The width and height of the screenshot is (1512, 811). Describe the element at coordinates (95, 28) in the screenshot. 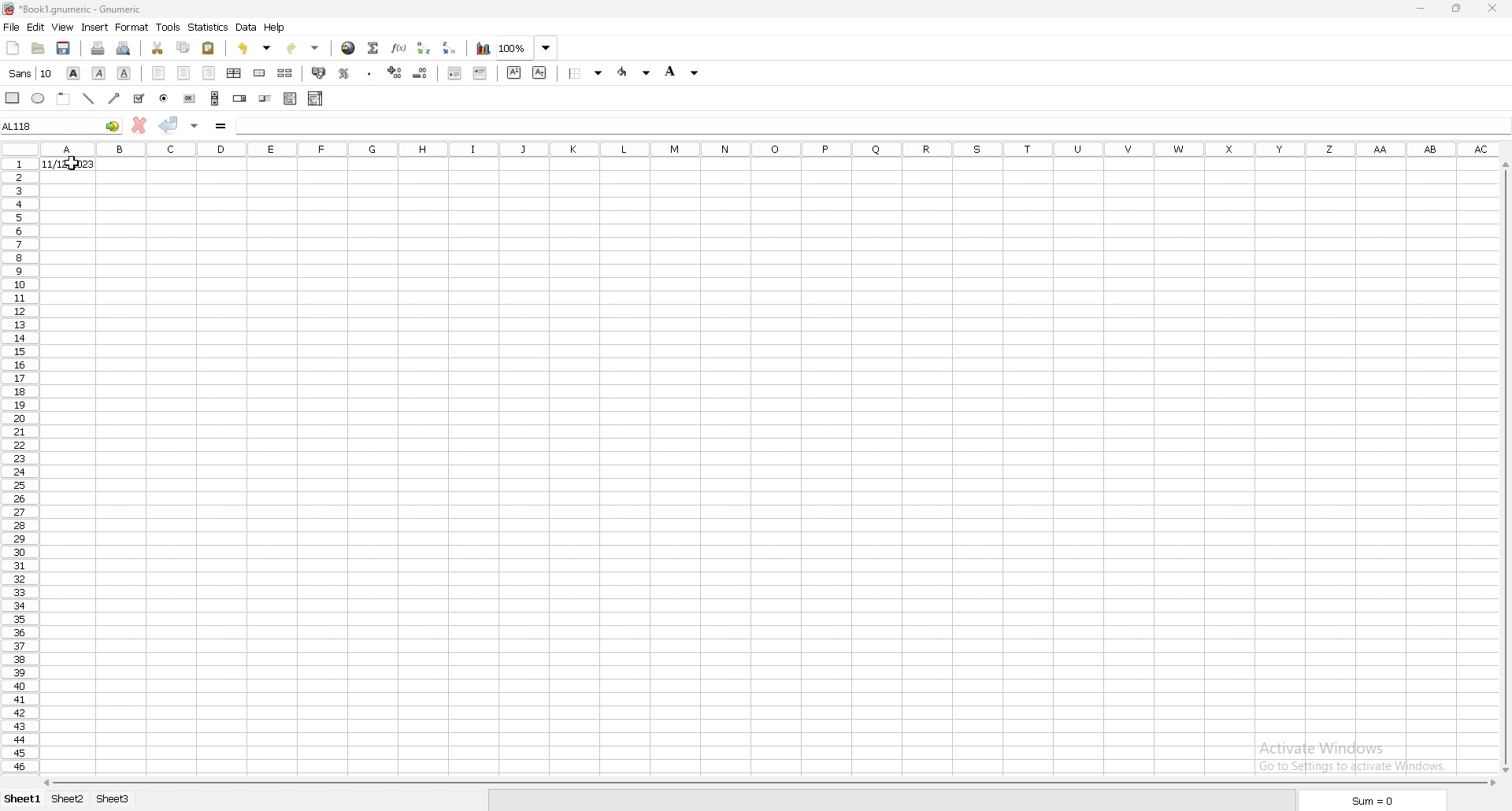

I see `insert` at that location.